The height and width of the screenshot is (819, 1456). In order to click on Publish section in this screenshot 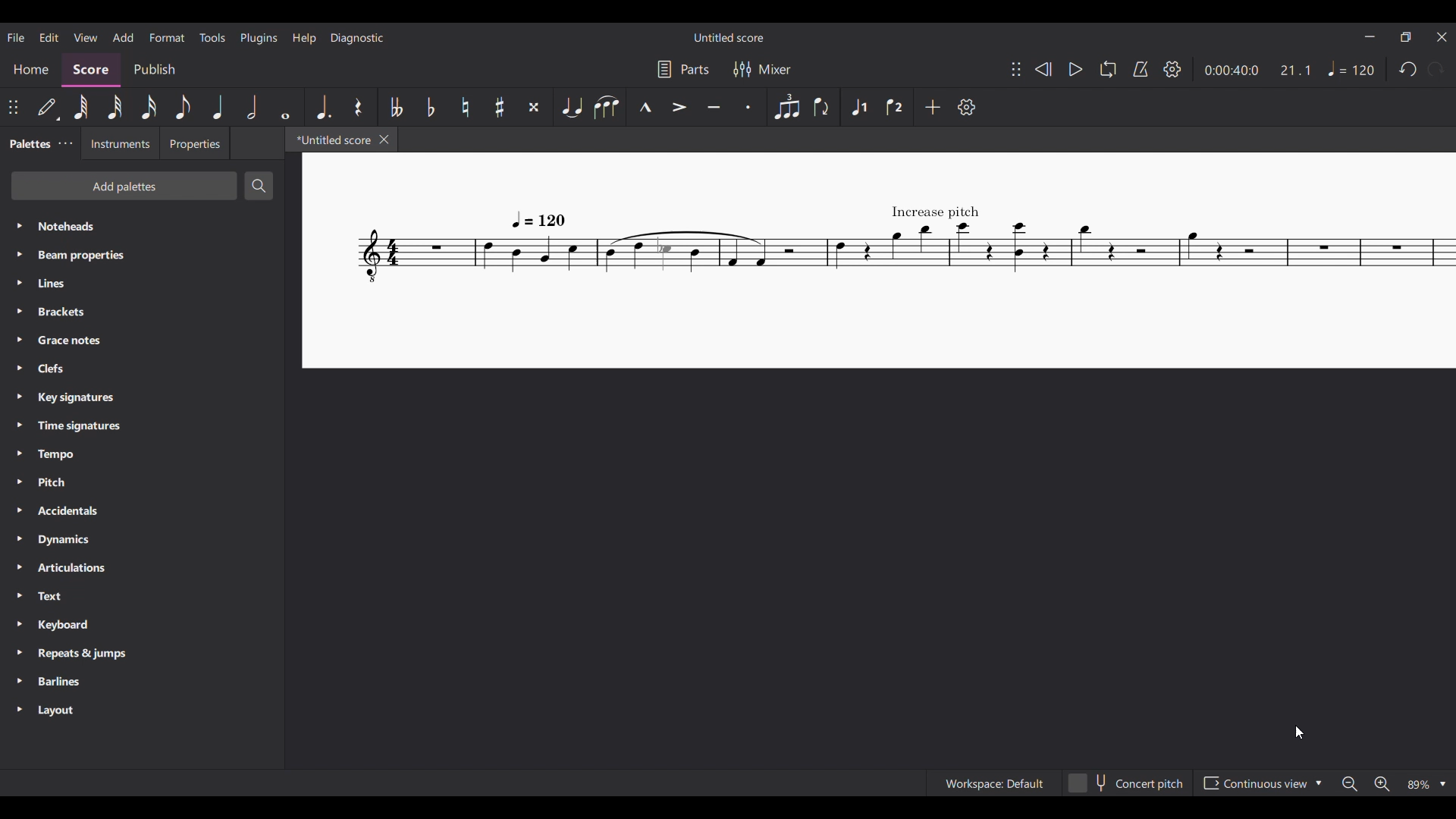, I will do `click(153, 70)`.